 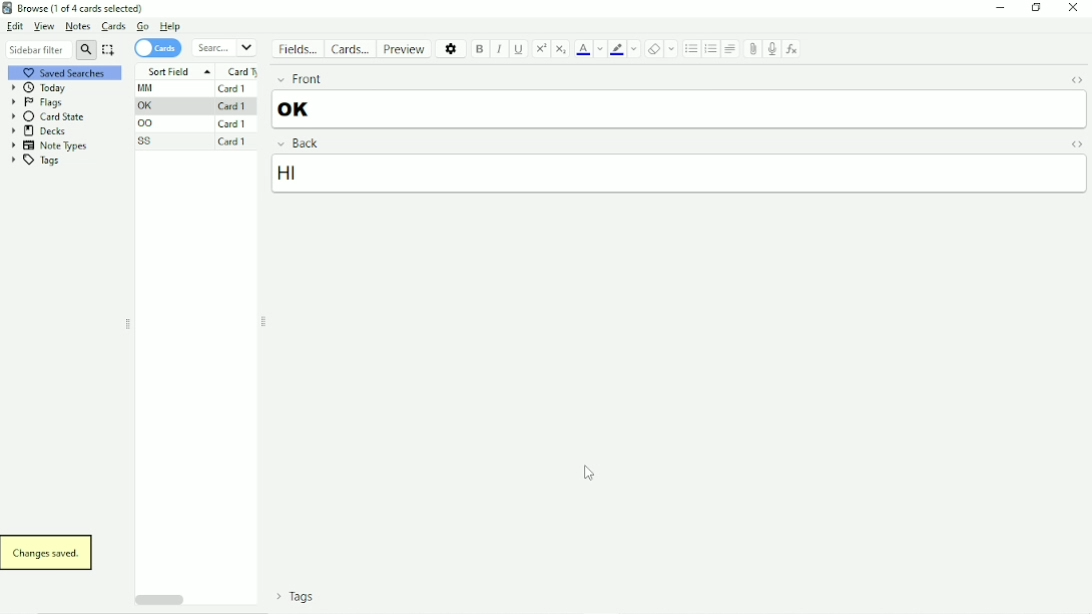 What do you see at coordinates (158, 48) in the screenshot?
I see `Cards` at bounding box center [158, 48].